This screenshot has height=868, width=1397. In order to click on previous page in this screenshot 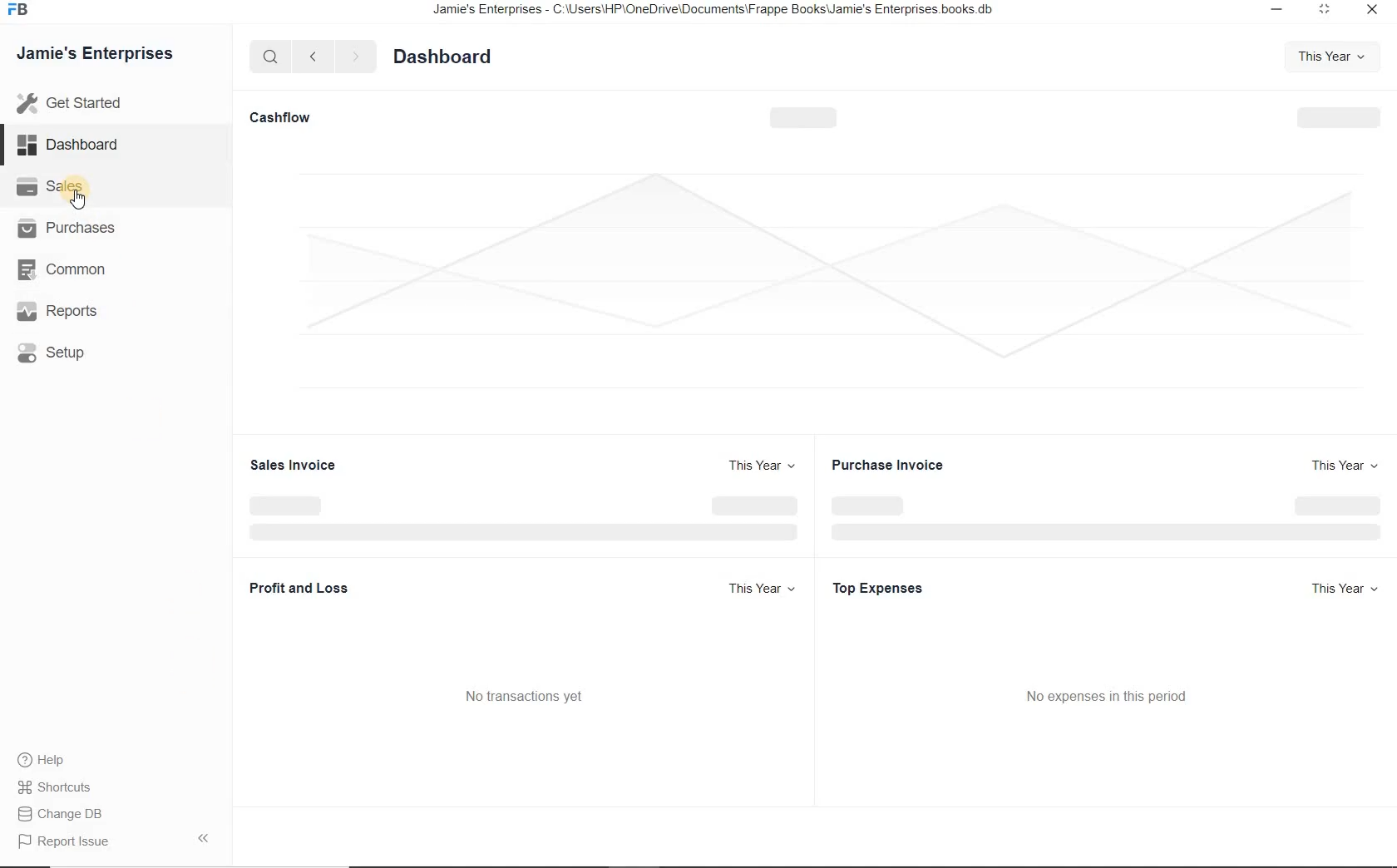, I will do `click(312, 57)`.